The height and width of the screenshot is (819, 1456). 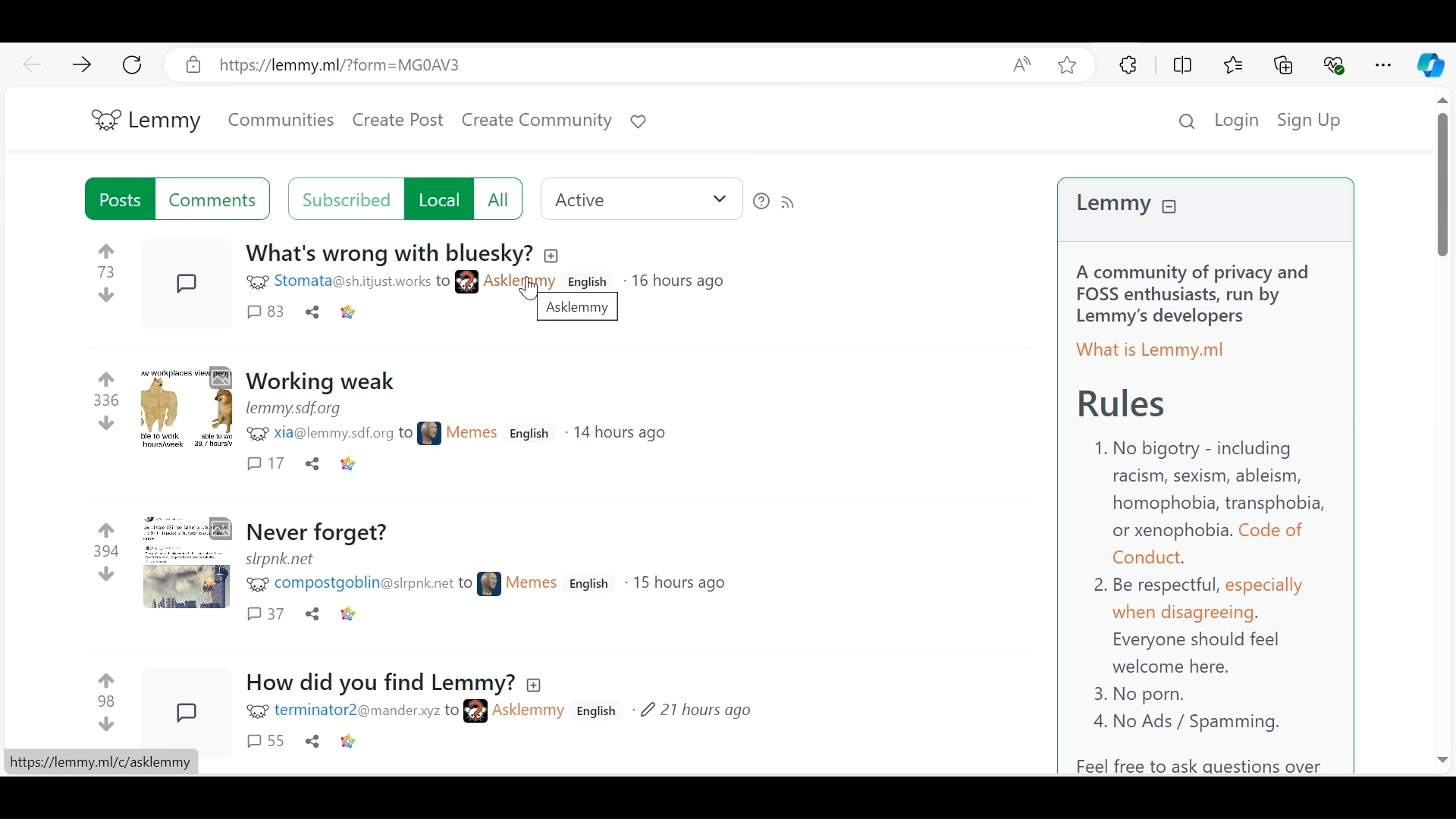 I want to click on Lemmy, so click(x=148, y=122).